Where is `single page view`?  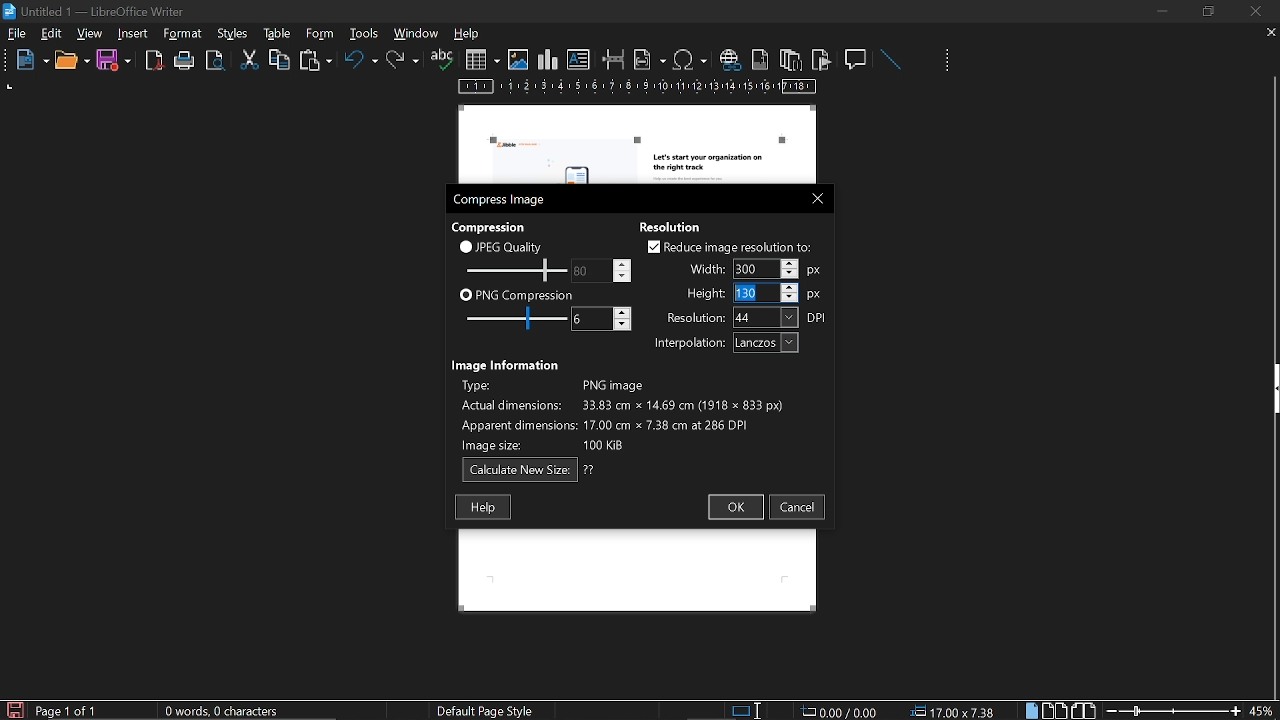
single page view is located at coordinates (1034, 710).